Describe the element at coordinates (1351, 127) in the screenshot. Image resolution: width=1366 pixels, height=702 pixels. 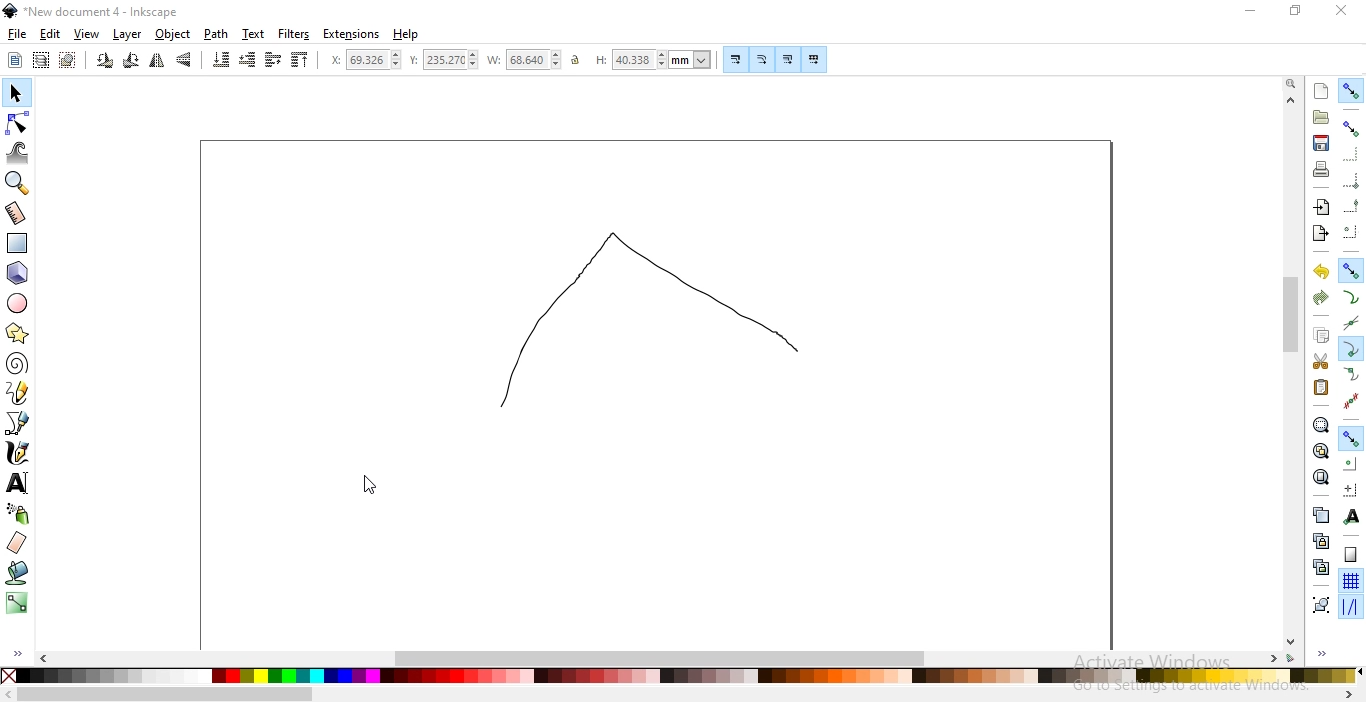
I see `snap bounding boxes` at that location.